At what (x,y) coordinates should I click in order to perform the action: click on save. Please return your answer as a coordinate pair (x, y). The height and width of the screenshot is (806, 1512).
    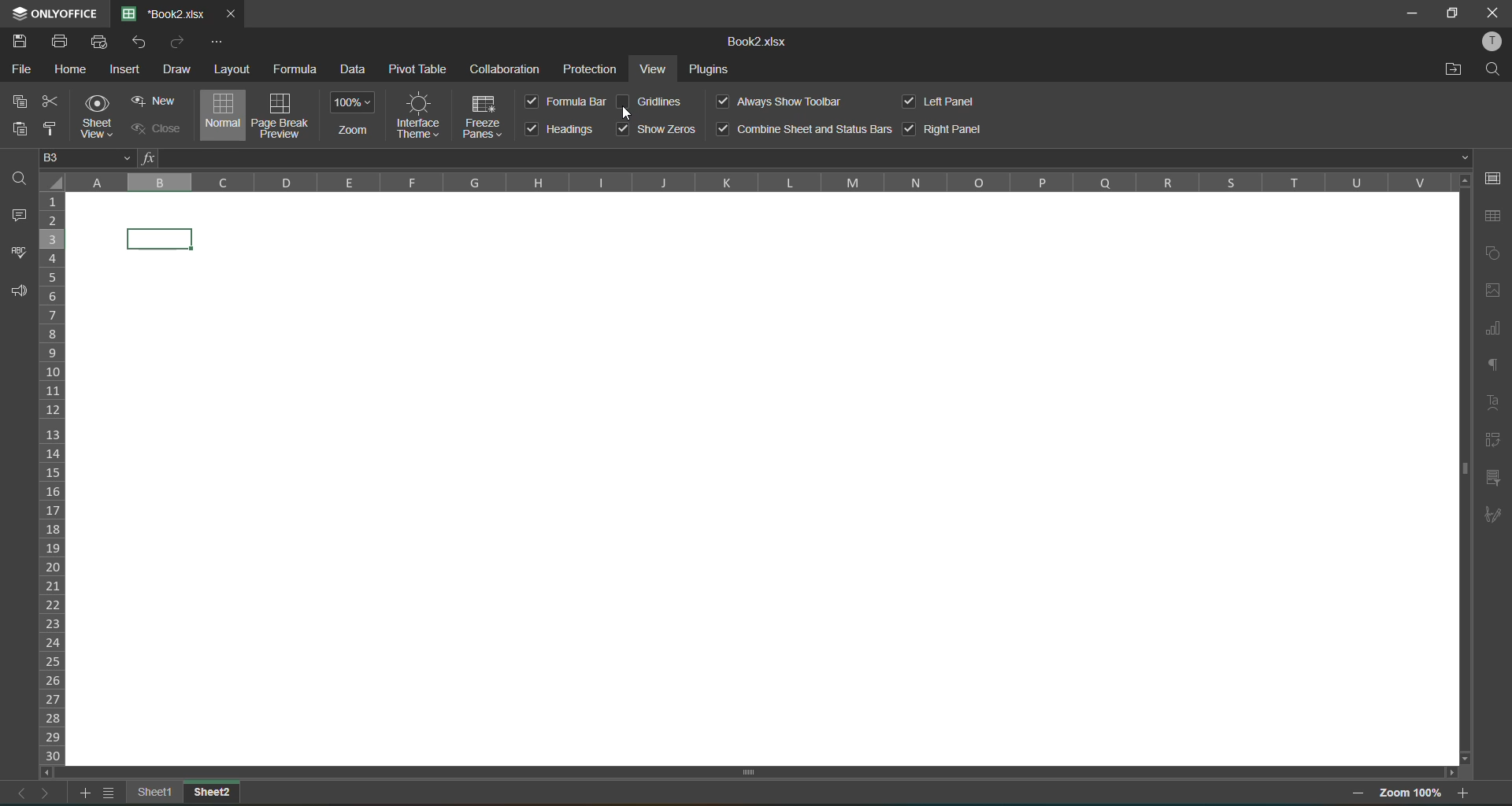
    Looking at the image, I should click on (19, 39).